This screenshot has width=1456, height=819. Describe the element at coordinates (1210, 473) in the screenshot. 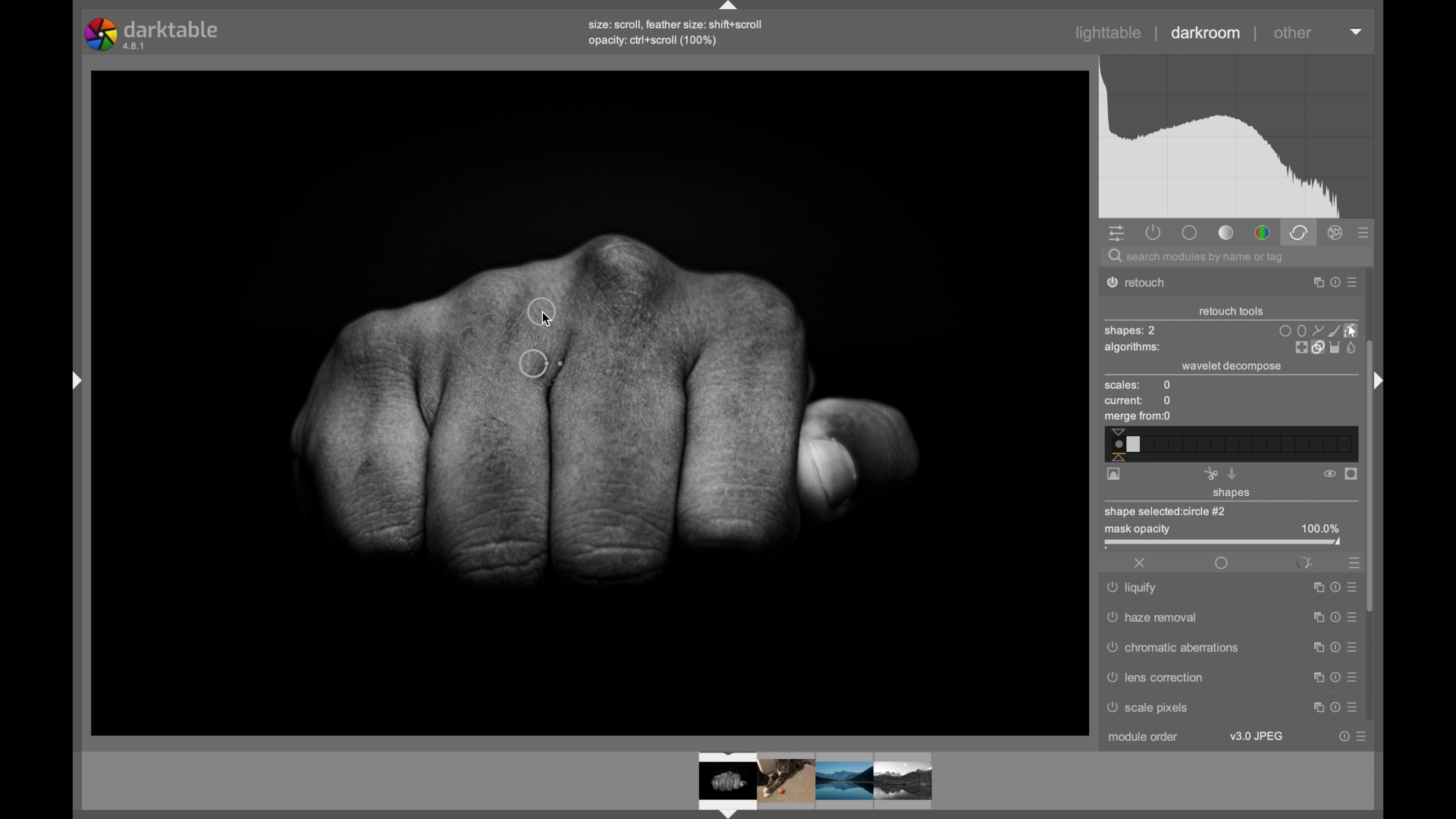

I see `cut` at that location.